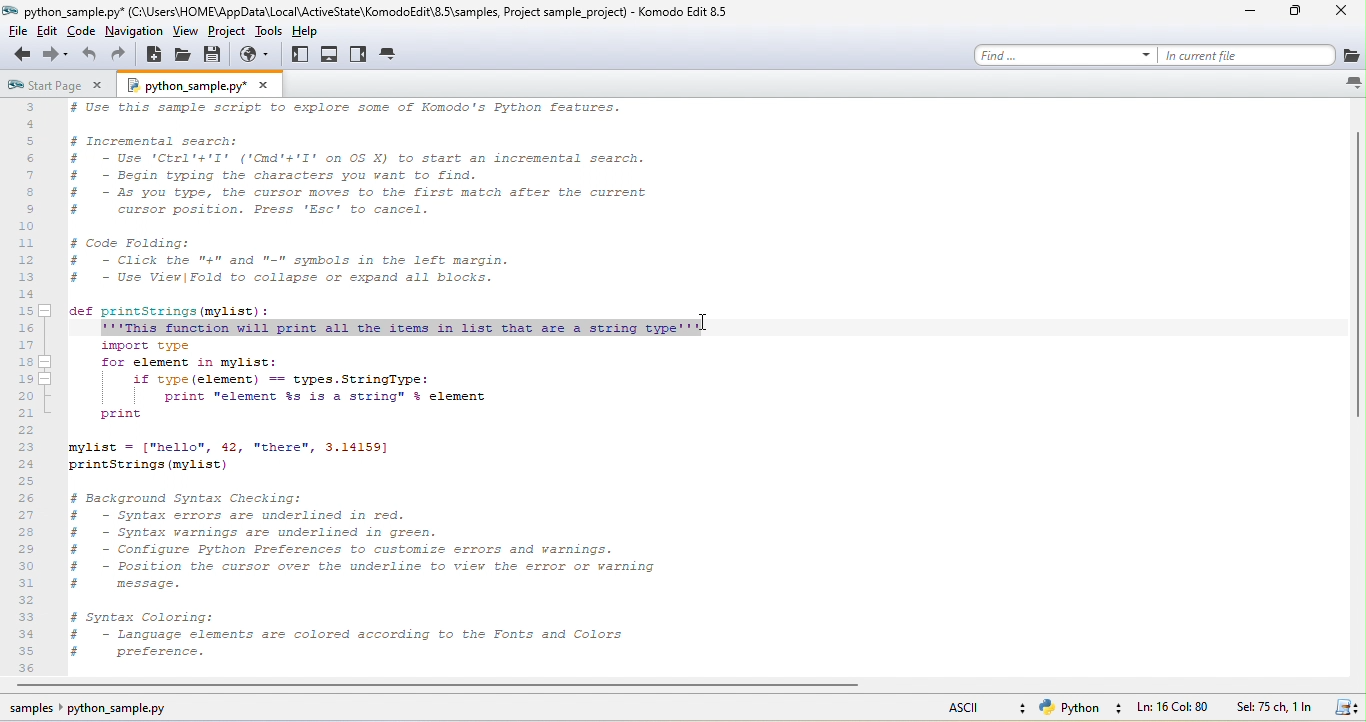 The height and width of the screenshot is (722, 1366). Describe the element at coordinates (1255, 12) in the screenshot. I see `minimize` at that location.